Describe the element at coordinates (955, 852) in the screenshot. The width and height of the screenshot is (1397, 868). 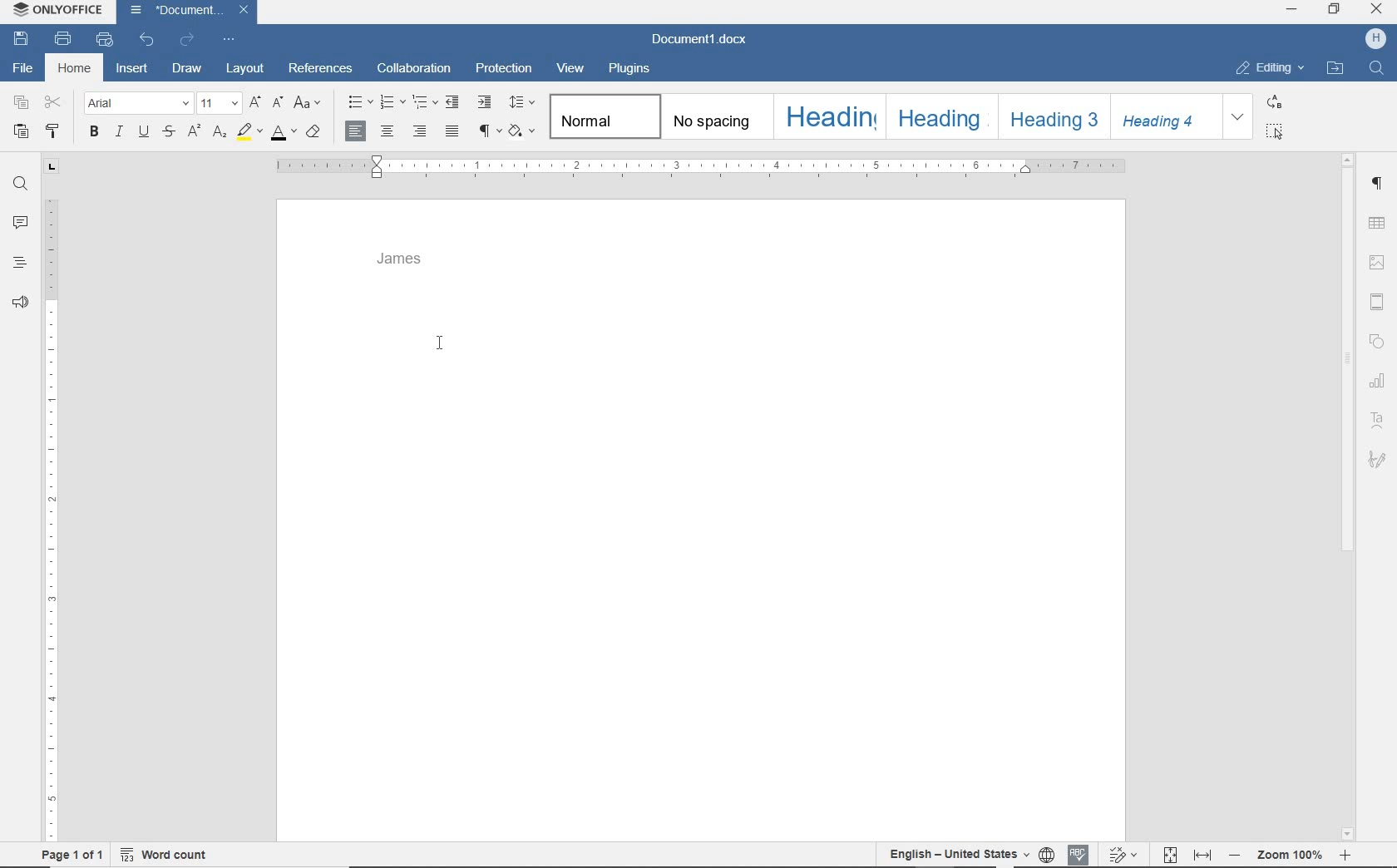
I see `text language` at that location.